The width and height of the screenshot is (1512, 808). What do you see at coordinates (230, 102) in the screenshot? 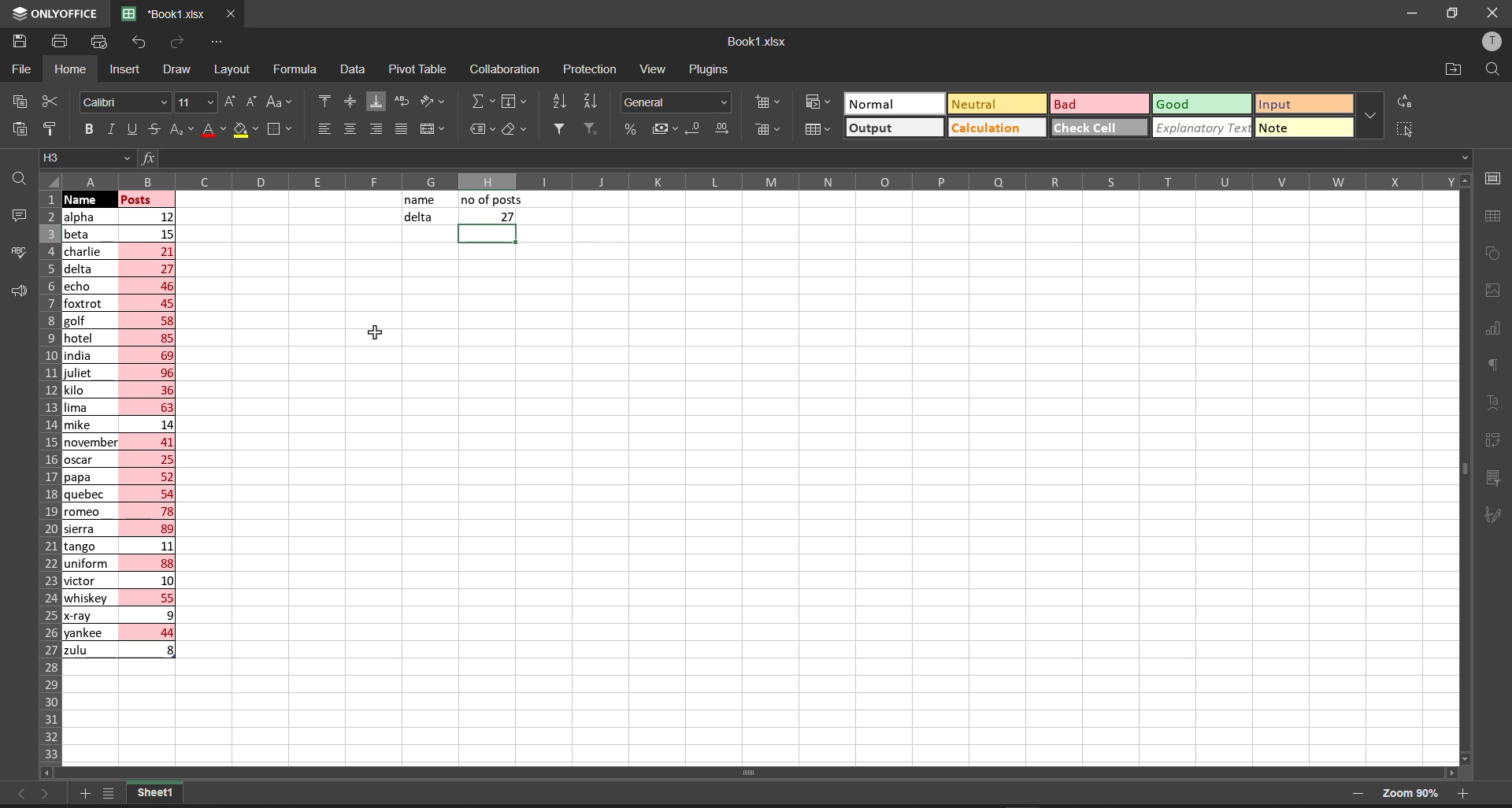
I see `increment font size` at bounding box center [230, 102].